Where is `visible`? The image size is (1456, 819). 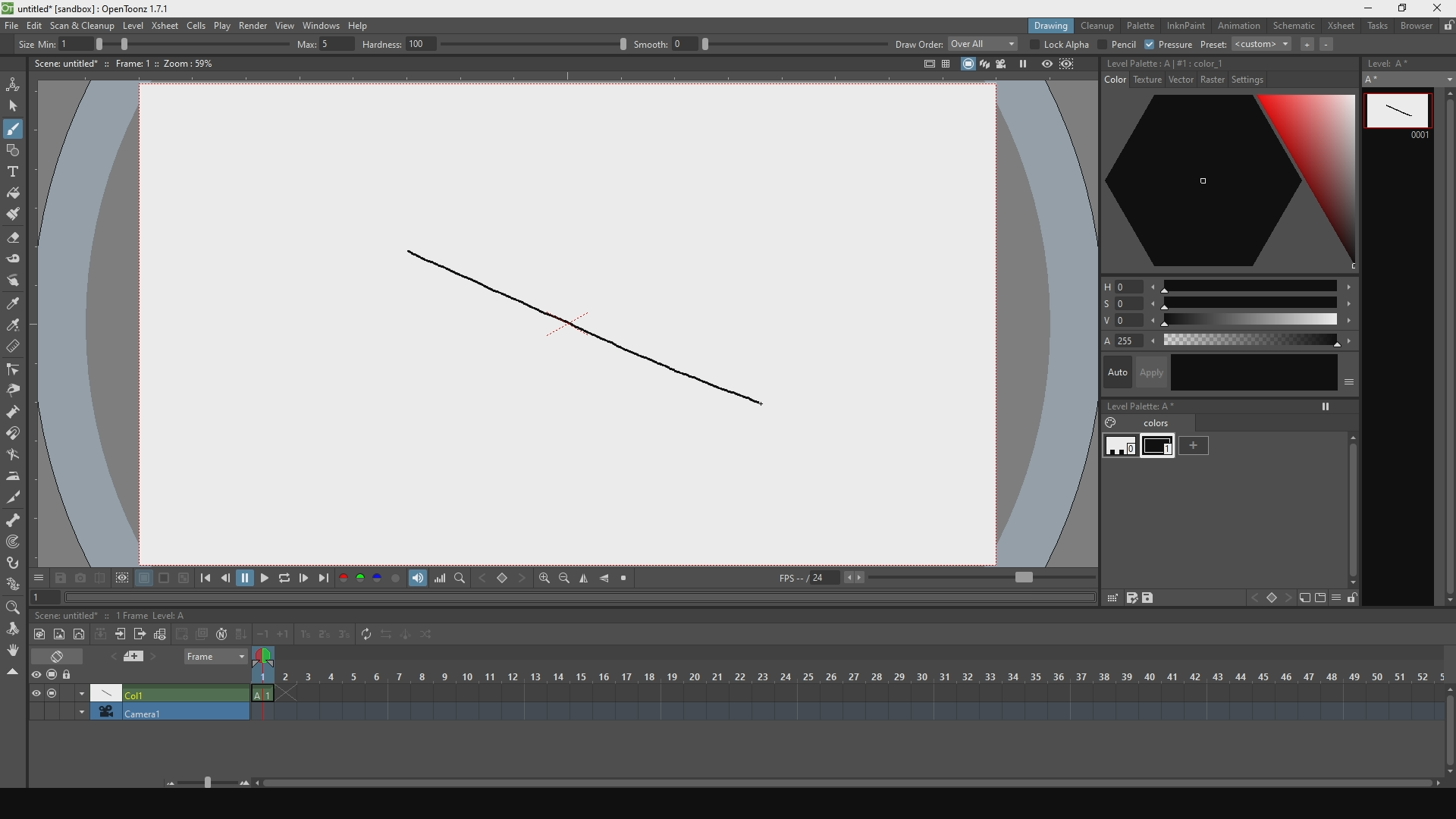
visible is located at coordinates (38, 692).